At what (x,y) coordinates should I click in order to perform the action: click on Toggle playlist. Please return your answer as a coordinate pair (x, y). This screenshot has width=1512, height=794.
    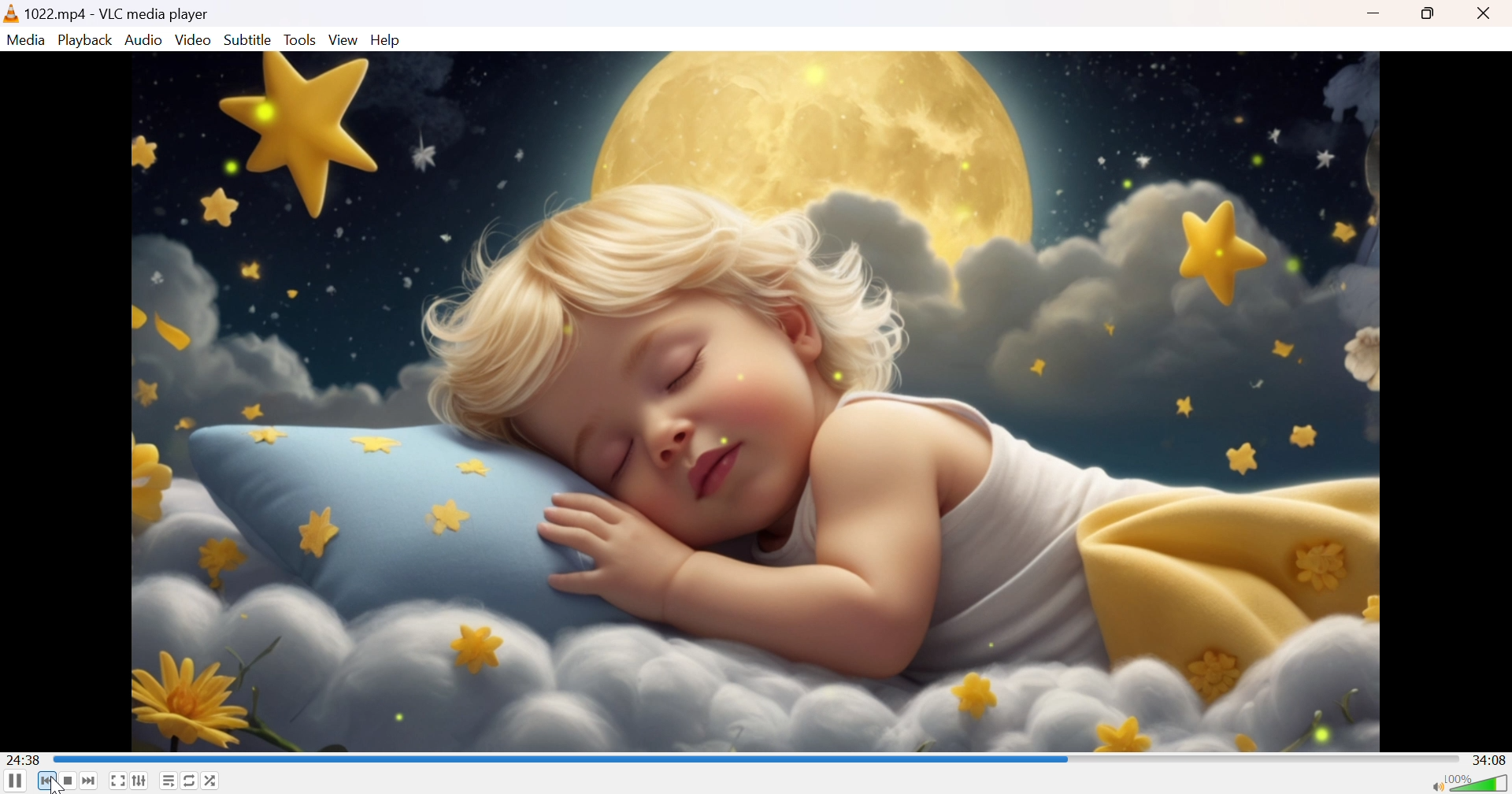
    Looking at the image, I should click on (169, 781).